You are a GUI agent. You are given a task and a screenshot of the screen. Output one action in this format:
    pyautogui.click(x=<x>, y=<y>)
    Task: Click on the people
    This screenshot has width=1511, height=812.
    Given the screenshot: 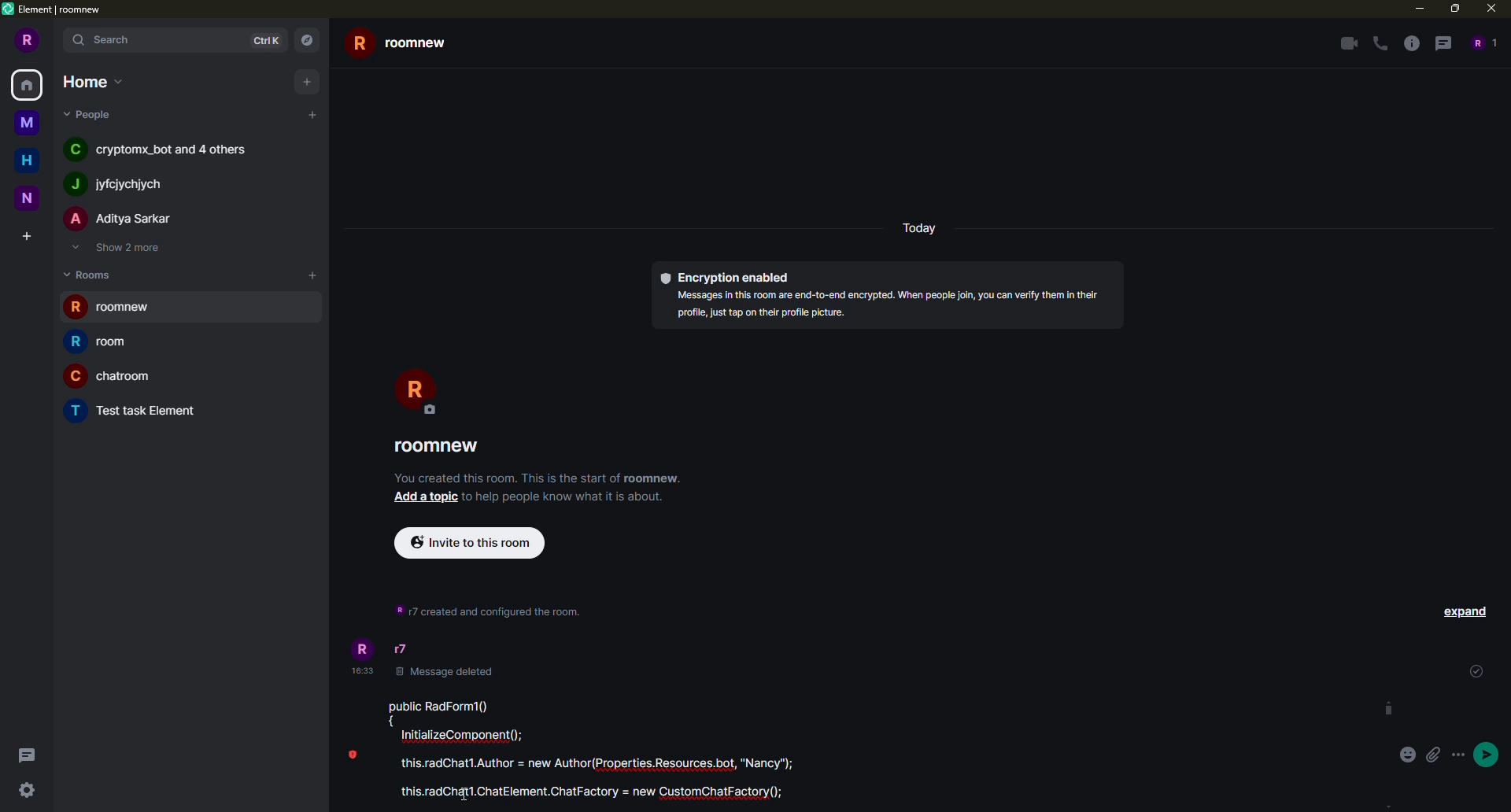 What is the action you would take?
    pyautogui.click(x=122, y=219)
    